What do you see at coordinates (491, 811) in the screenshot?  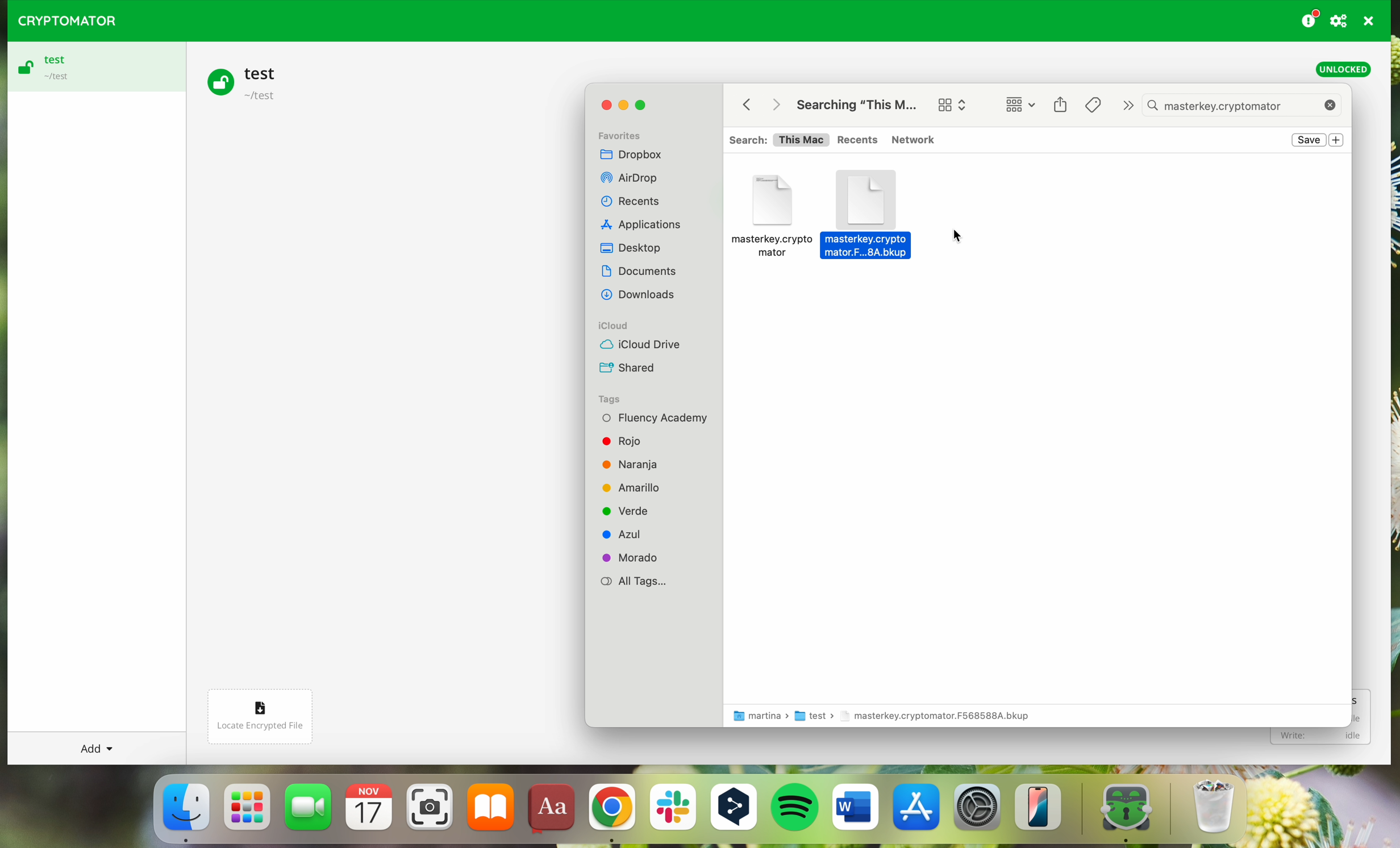 I see `iBooks` at bounding box center [491, 811].